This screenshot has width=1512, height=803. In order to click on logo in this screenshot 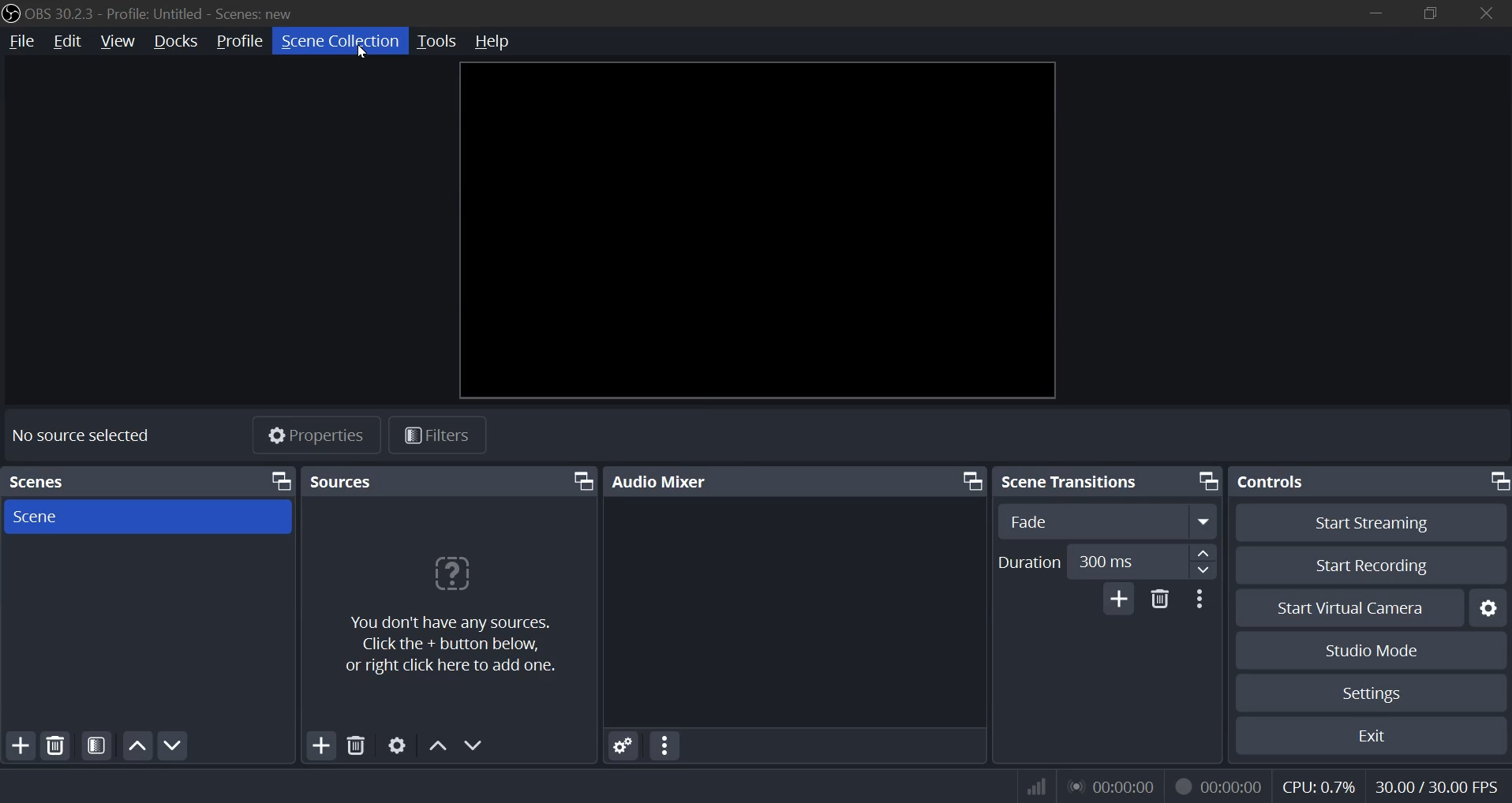, I will do `click(10, 12)`.